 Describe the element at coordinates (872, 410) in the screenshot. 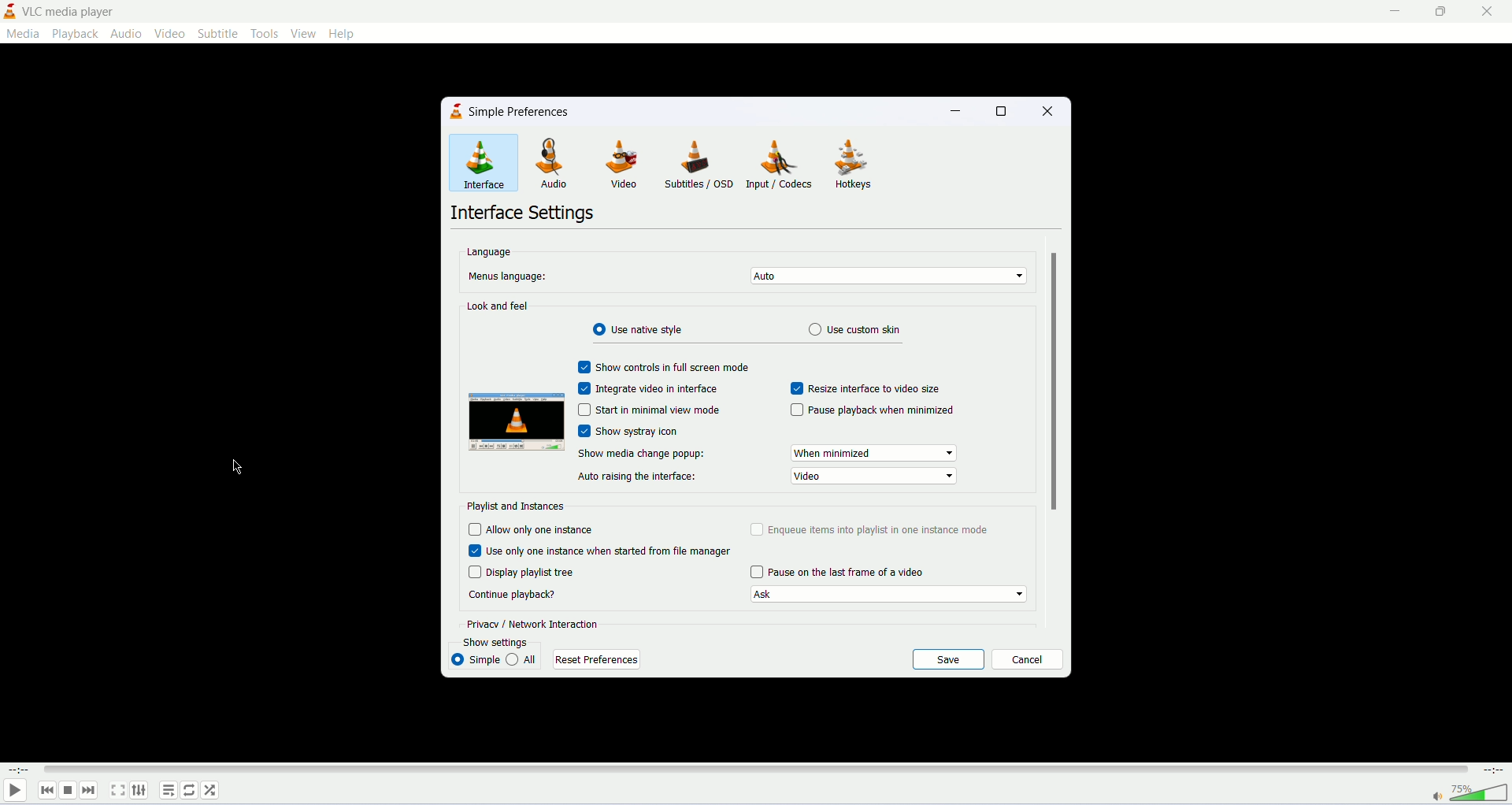

I see `pause playback when minimized` at that location.